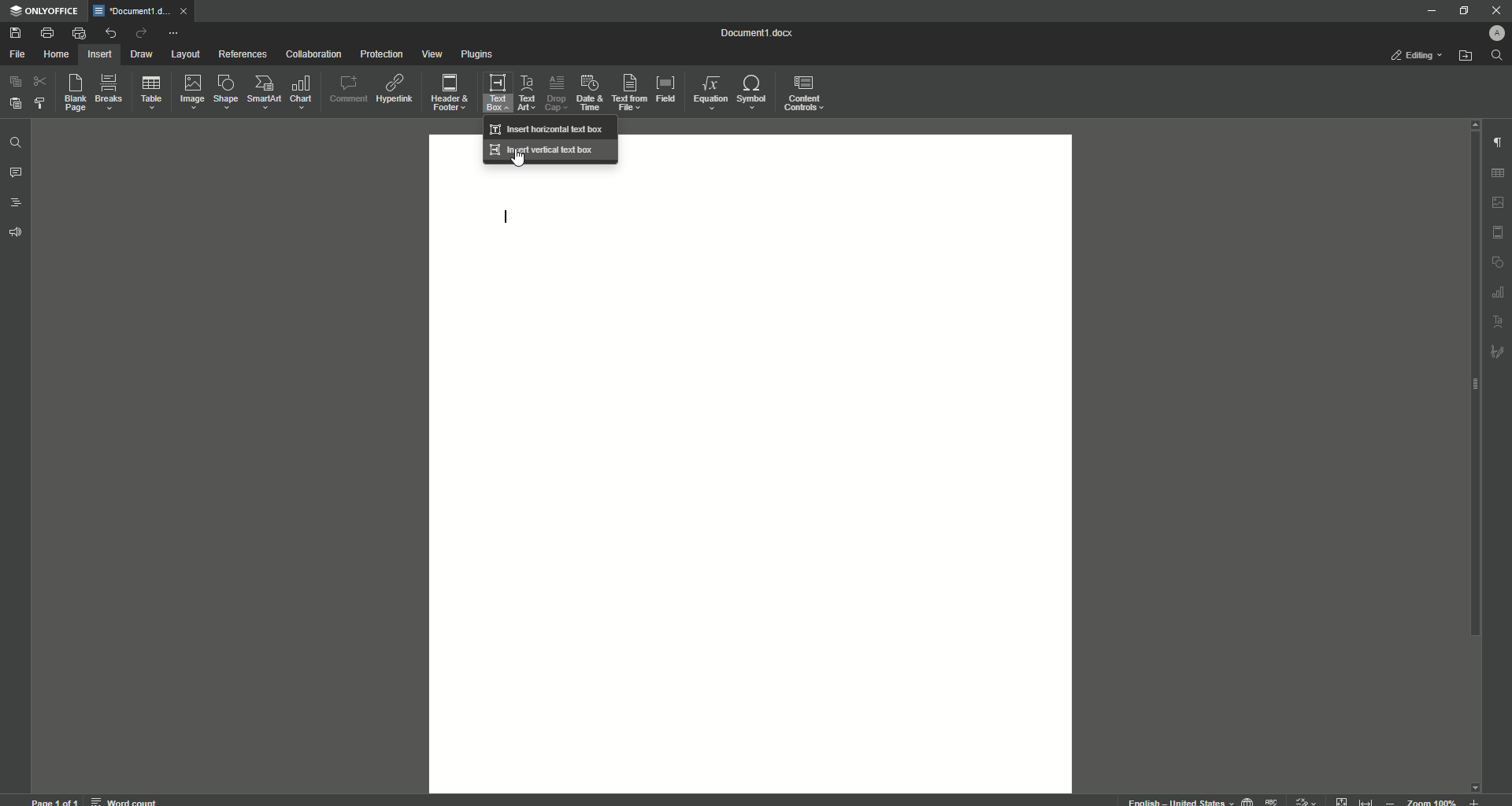 Image resolution: width=1512 pixels, height=806 pixels. What do you see at coordinates (185, 54) in the screenshot?
I see `Layout` at bounding box center [185, 54].